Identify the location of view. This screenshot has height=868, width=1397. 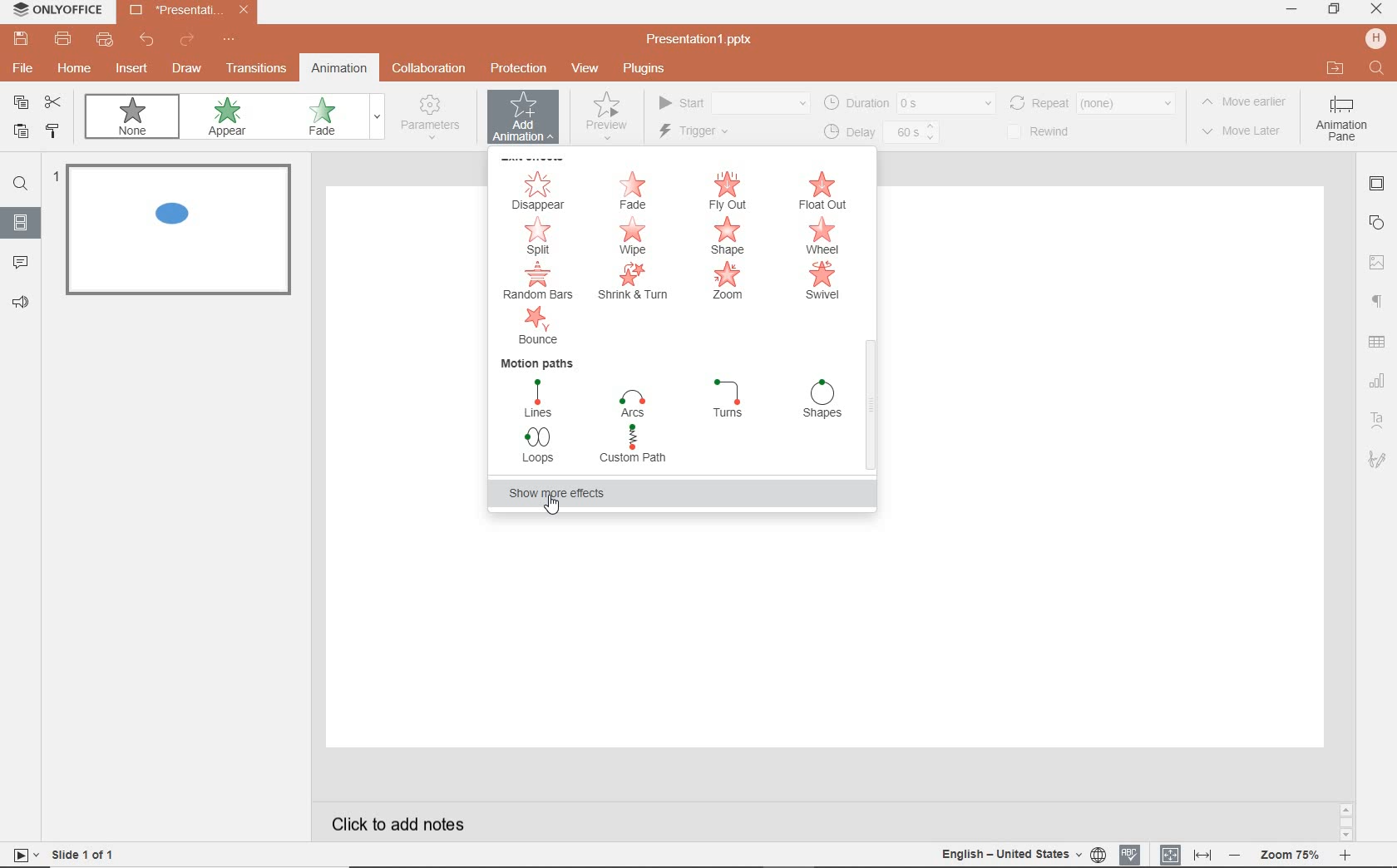
(588, 69).